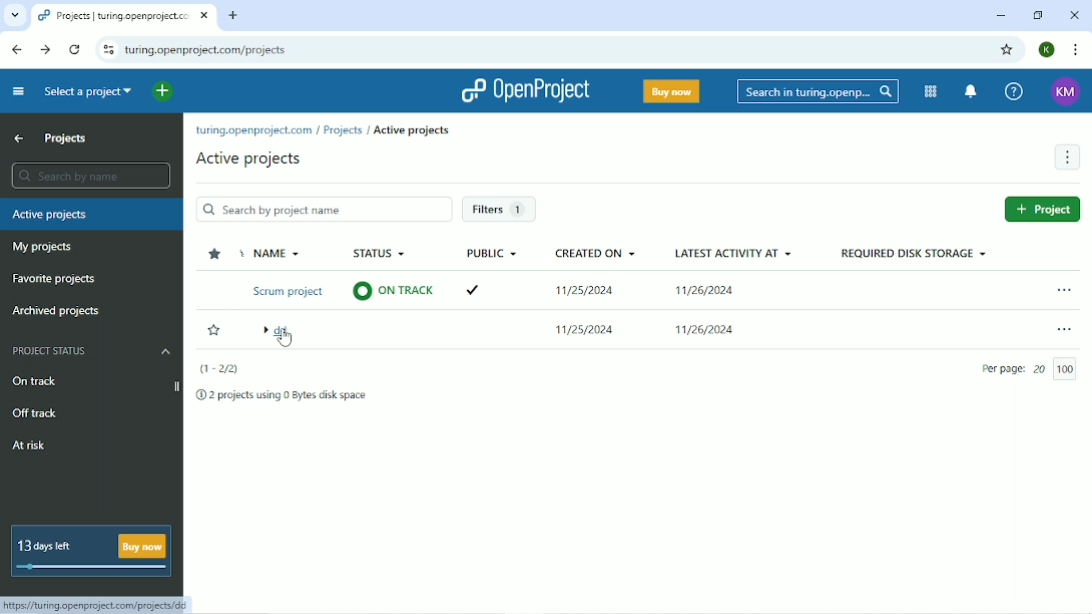 The height and width of the screenshot is (614, 1092). What do you see at coordinates (284, 397) in the screenshot?
I see `2 projects using 0 Bytes disk space` at bounding box center [284, 397].